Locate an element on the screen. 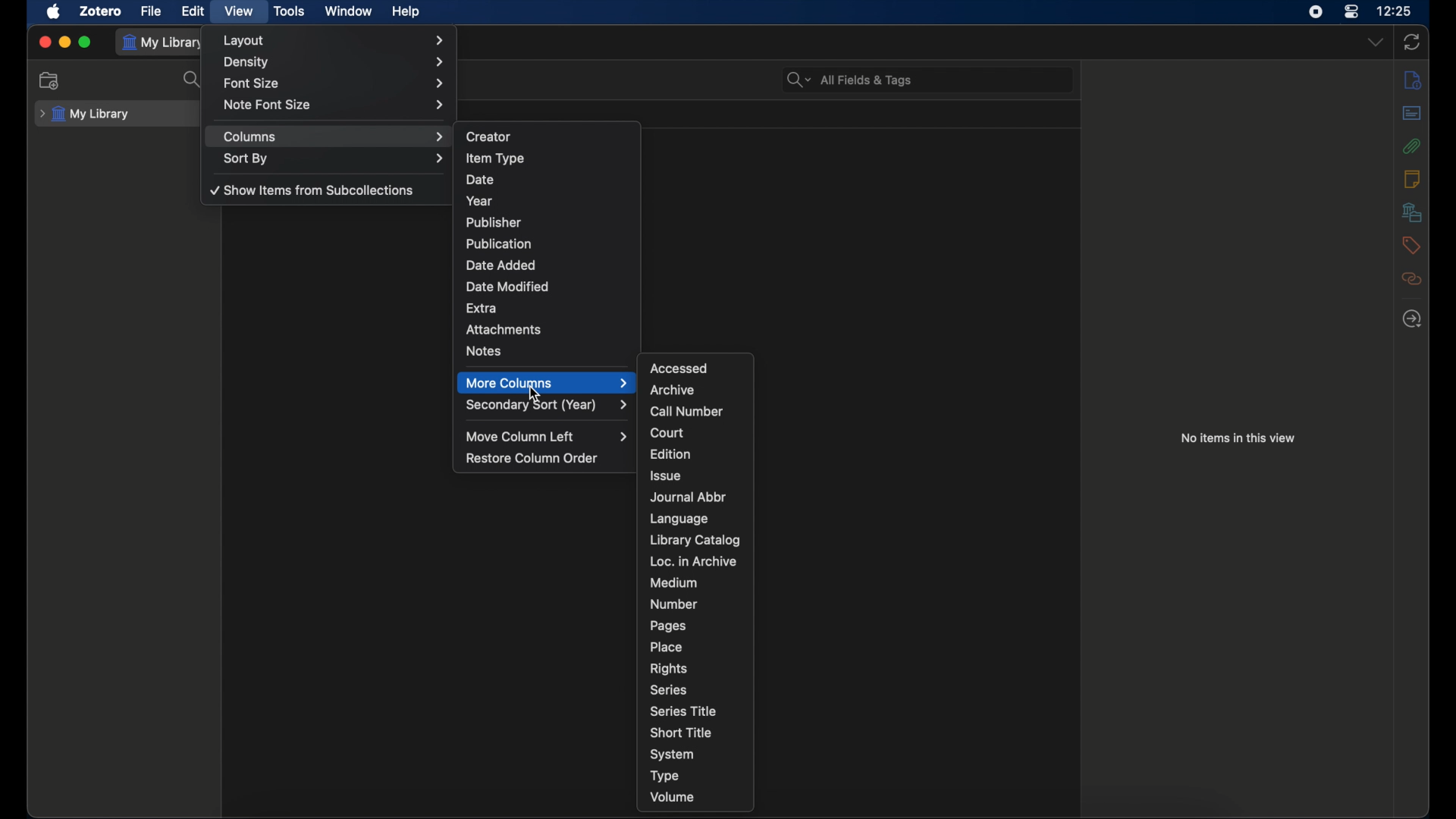  issue is located at coordinates (666, 475).